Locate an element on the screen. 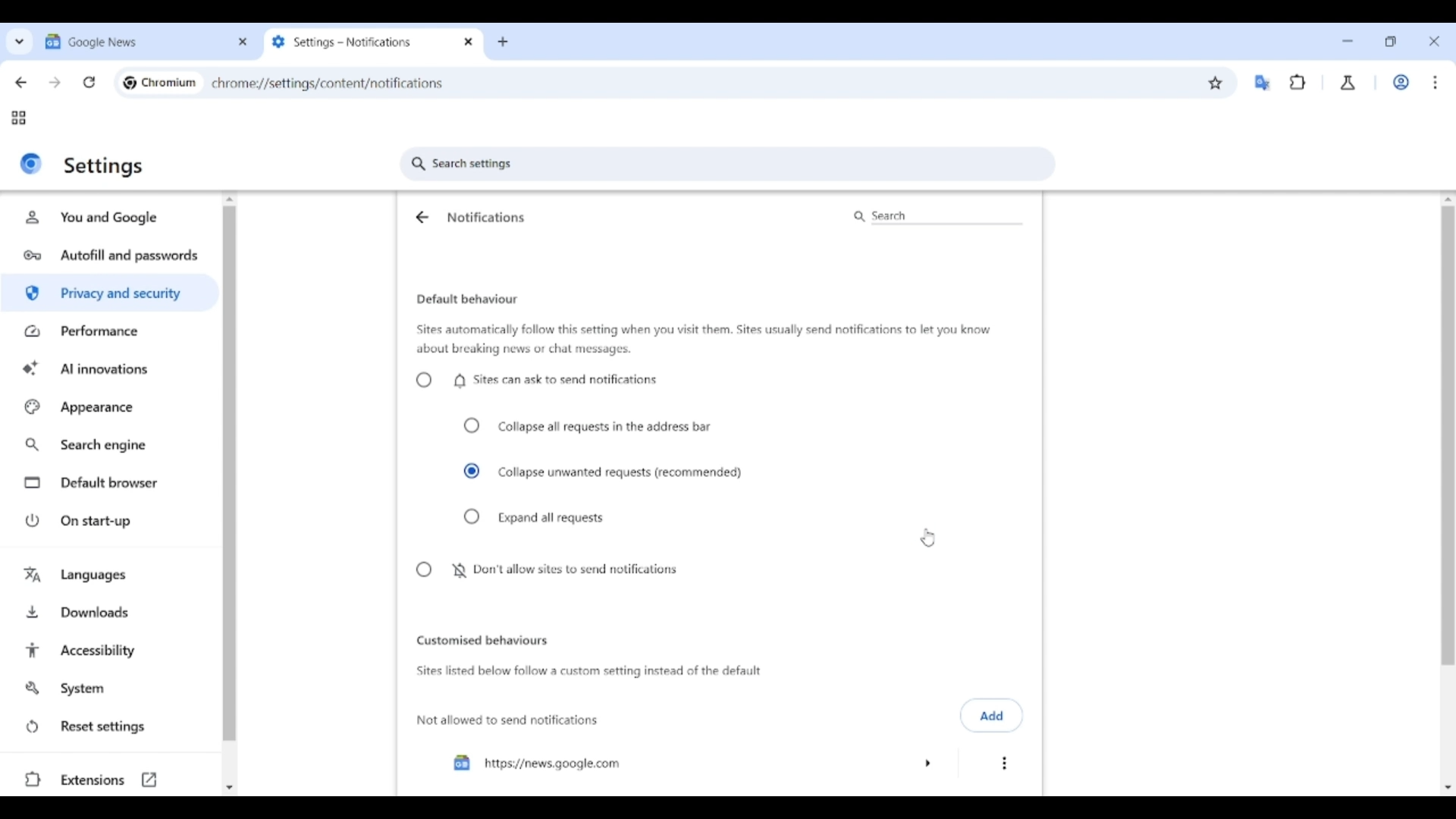 The image size is (1456, 819). Search tabs is located at coordinates (20, 41).